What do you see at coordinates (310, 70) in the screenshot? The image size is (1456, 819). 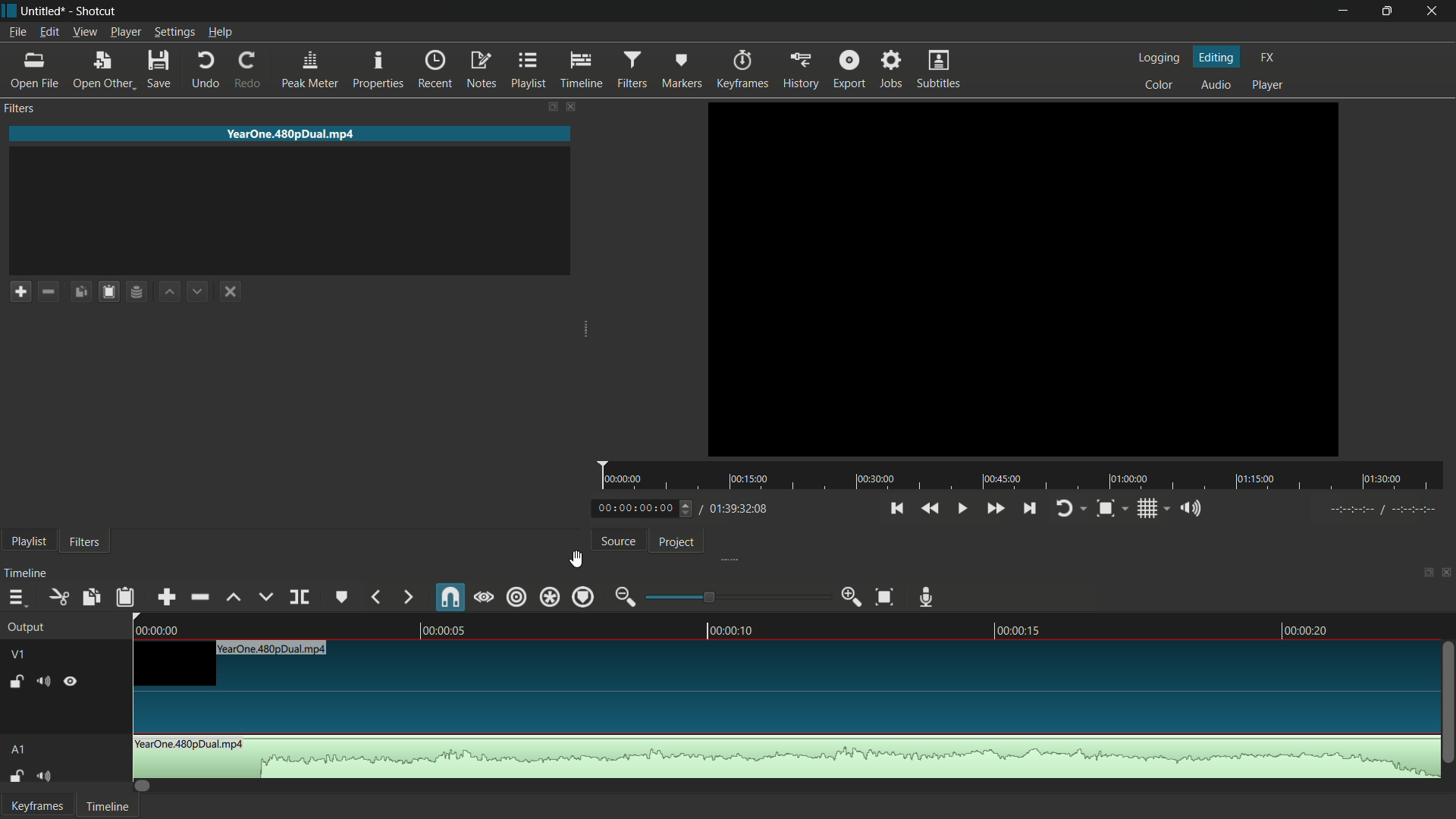 I see `peak meter` at bounding box center [310, 70].